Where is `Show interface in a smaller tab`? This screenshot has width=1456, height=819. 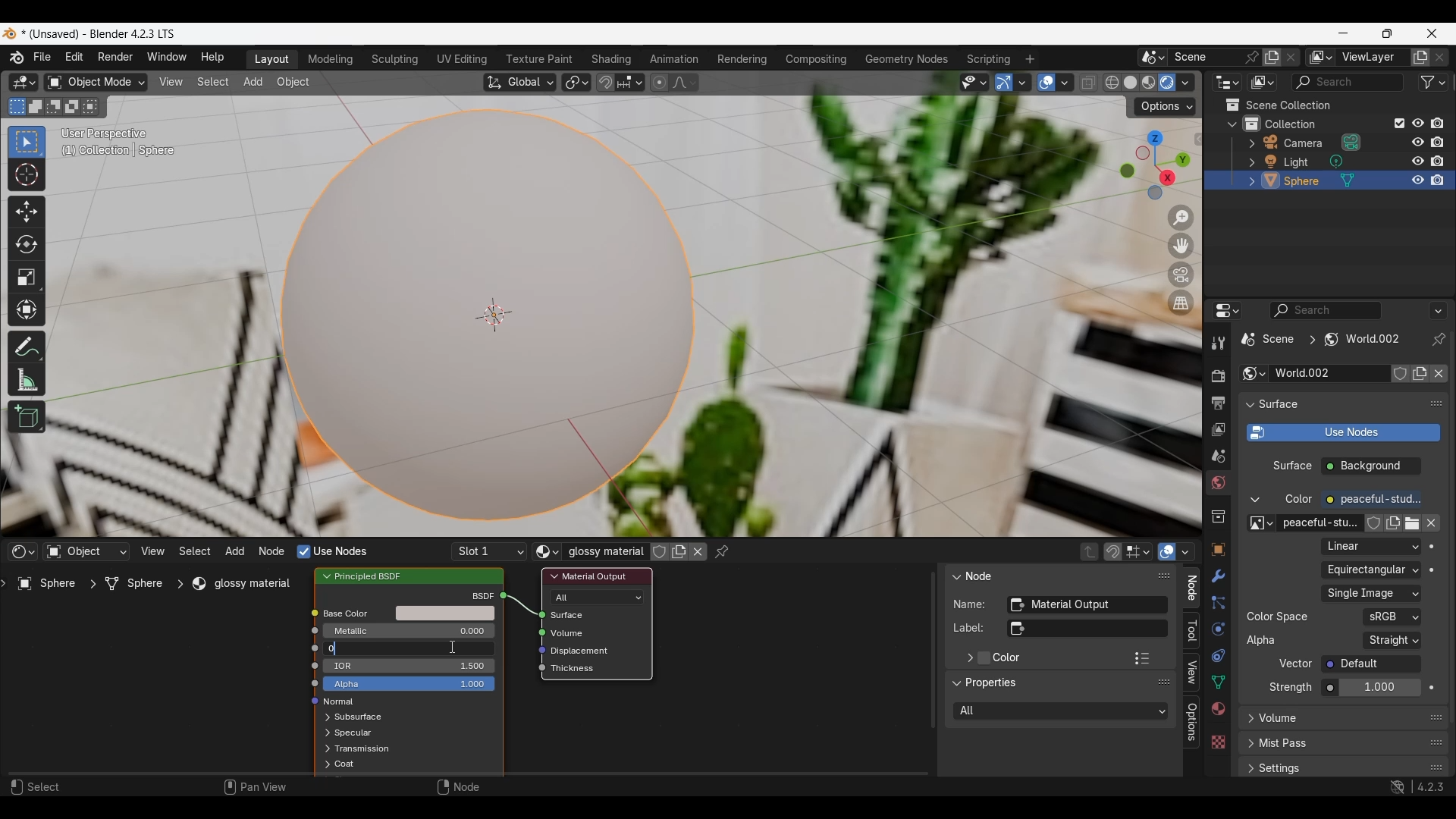 Show interface in a smaller tab is located at coordinates (1388, 33).